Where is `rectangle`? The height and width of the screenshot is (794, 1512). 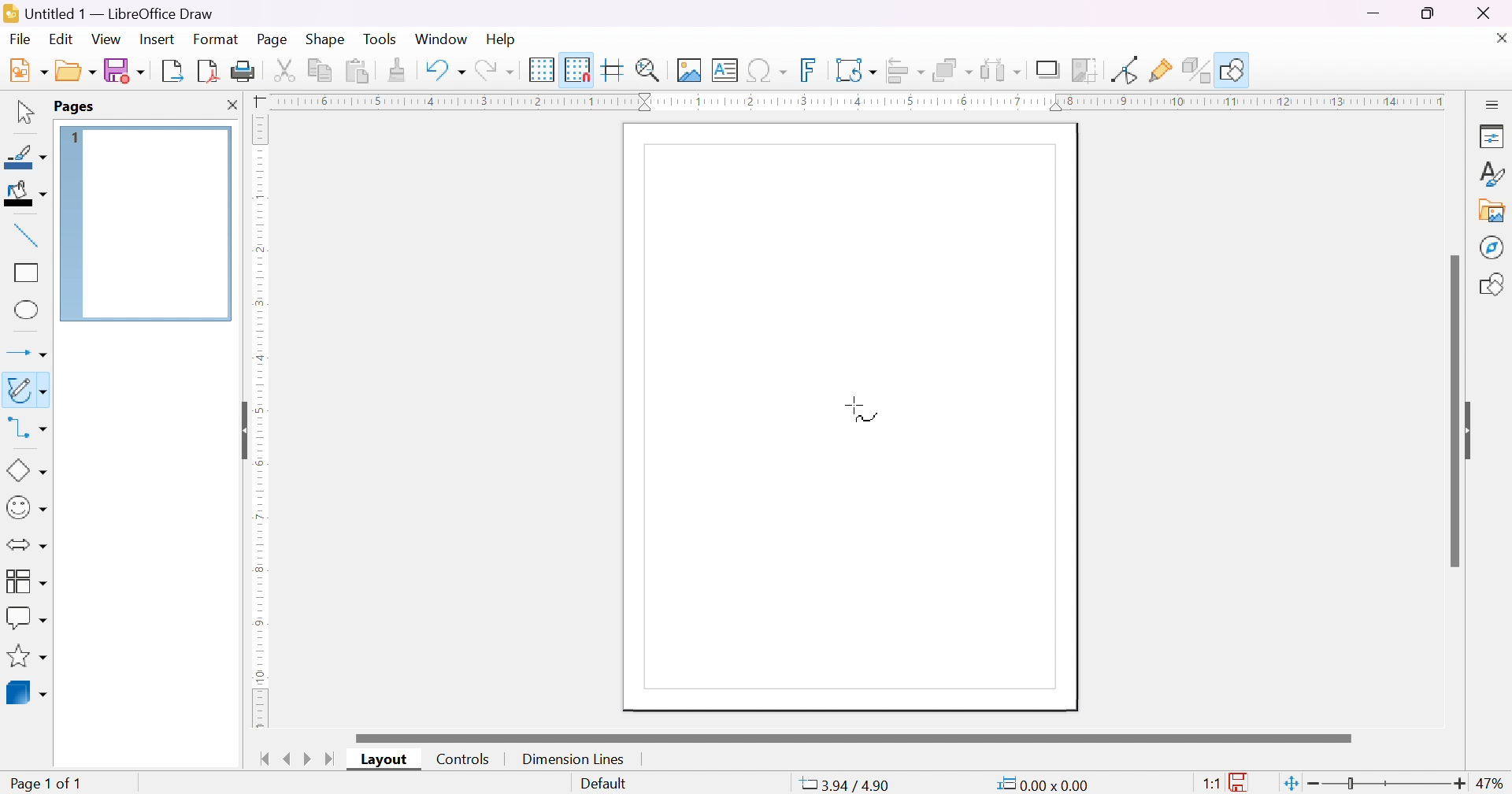
rectangle is located at coordinates (27, 271).